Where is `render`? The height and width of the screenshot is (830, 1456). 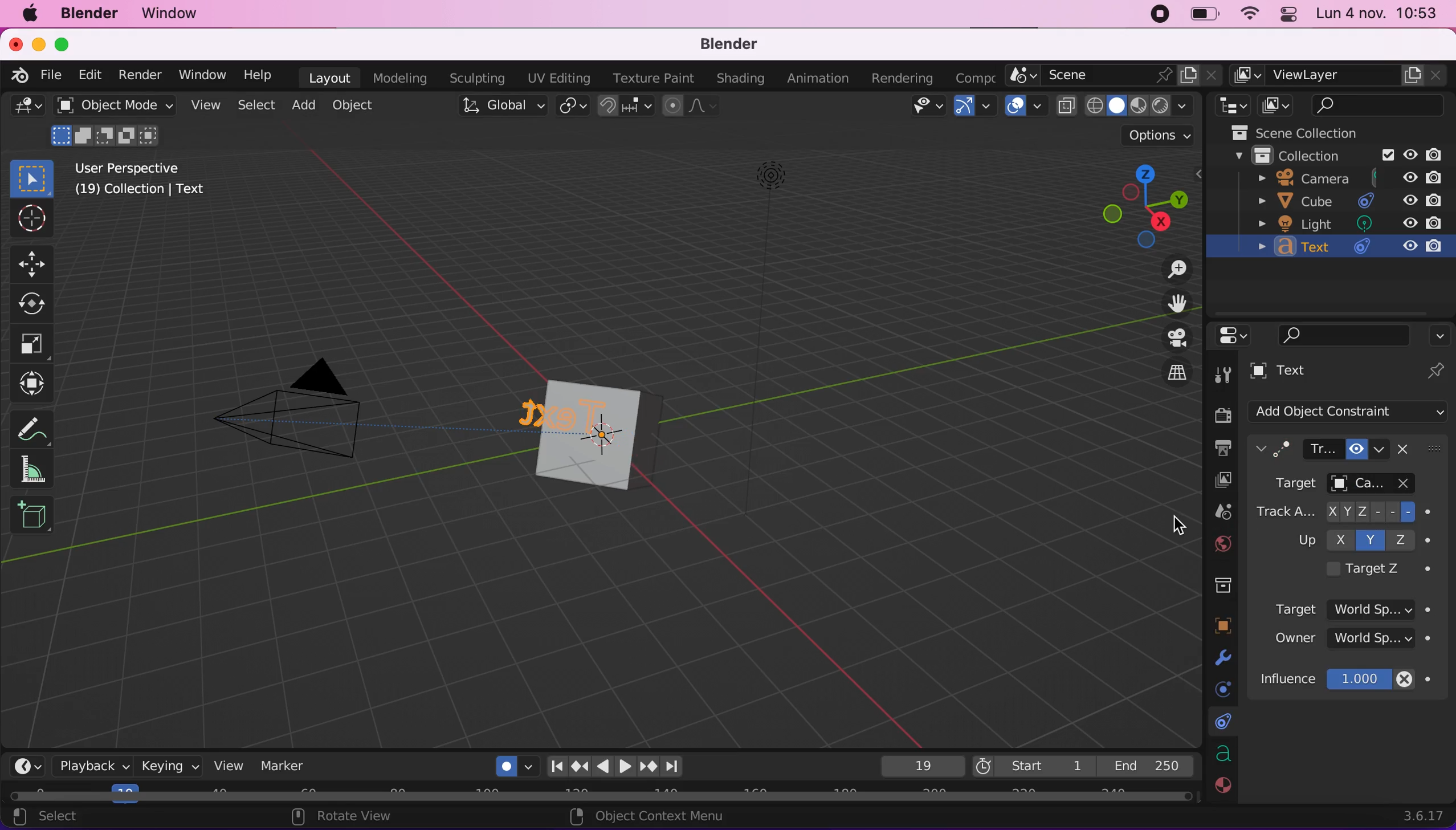
render is located at coordinates (141, 75).